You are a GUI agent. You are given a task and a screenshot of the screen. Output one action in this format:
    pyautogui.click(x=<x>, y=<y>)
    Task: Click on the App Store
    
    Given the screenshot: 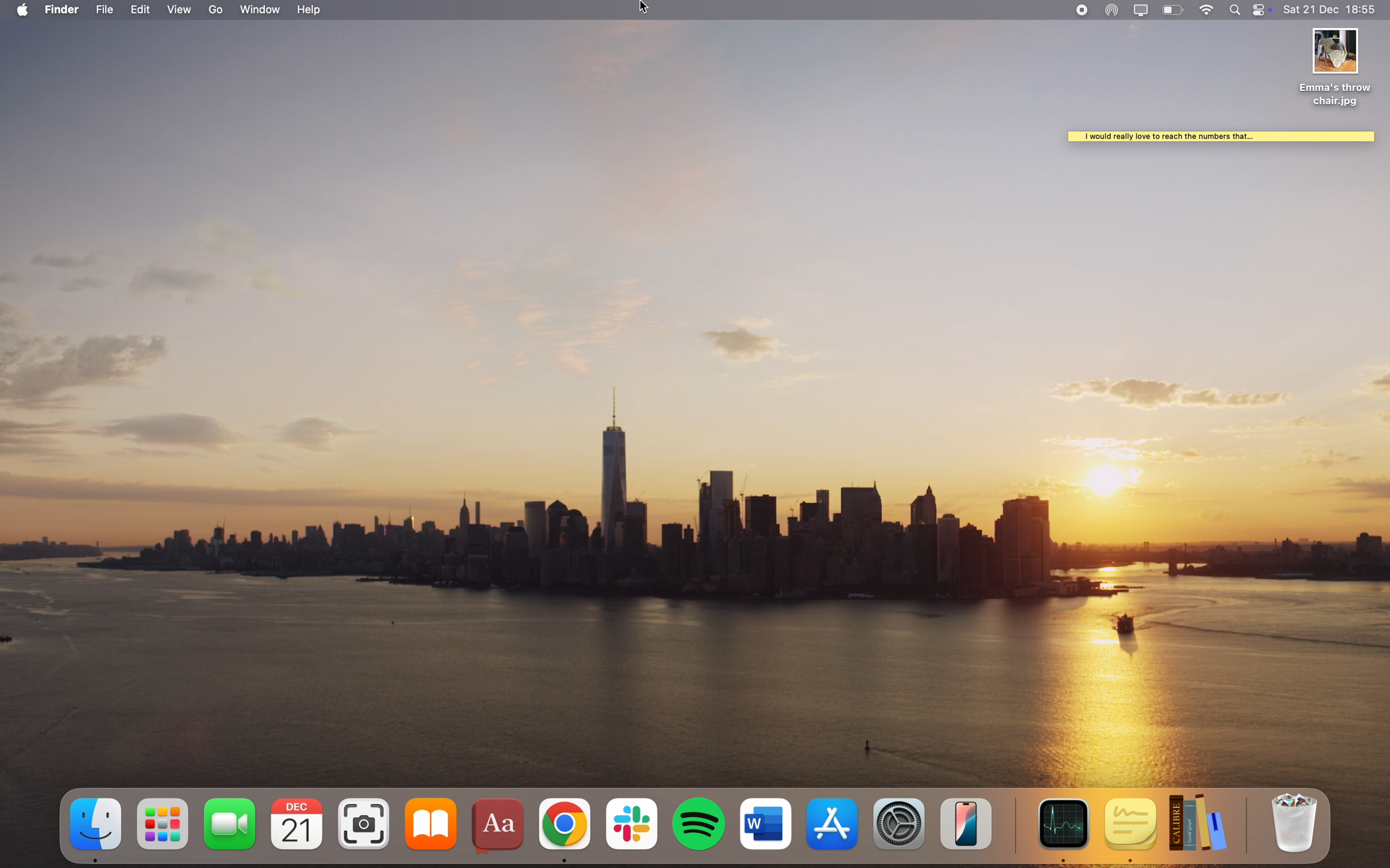 What is the action you would take?
    pyautogui.click(x=833, y=830)
    